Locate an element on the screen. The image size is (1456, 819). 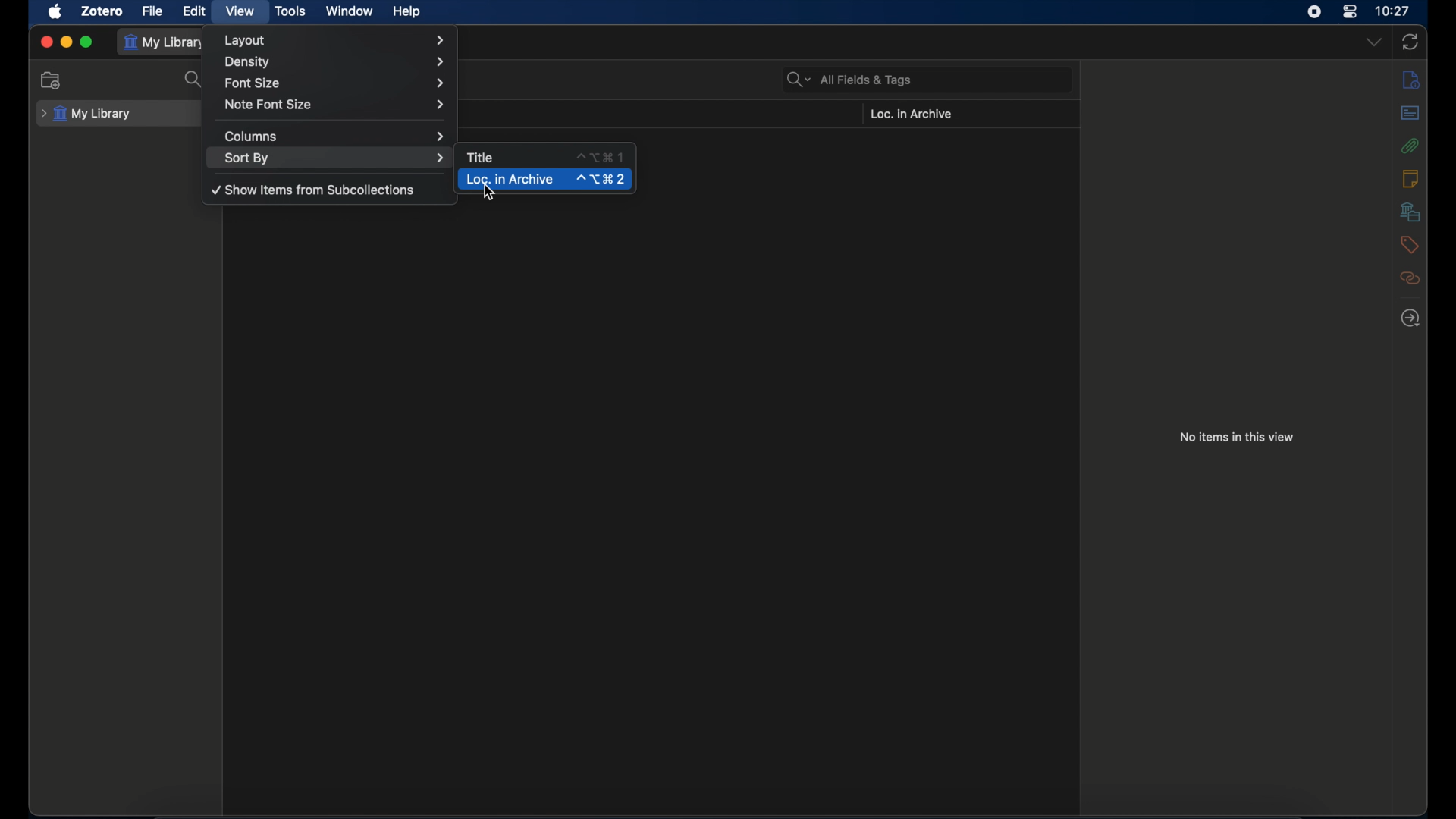
libraries is located at coordinates (1410, 212).